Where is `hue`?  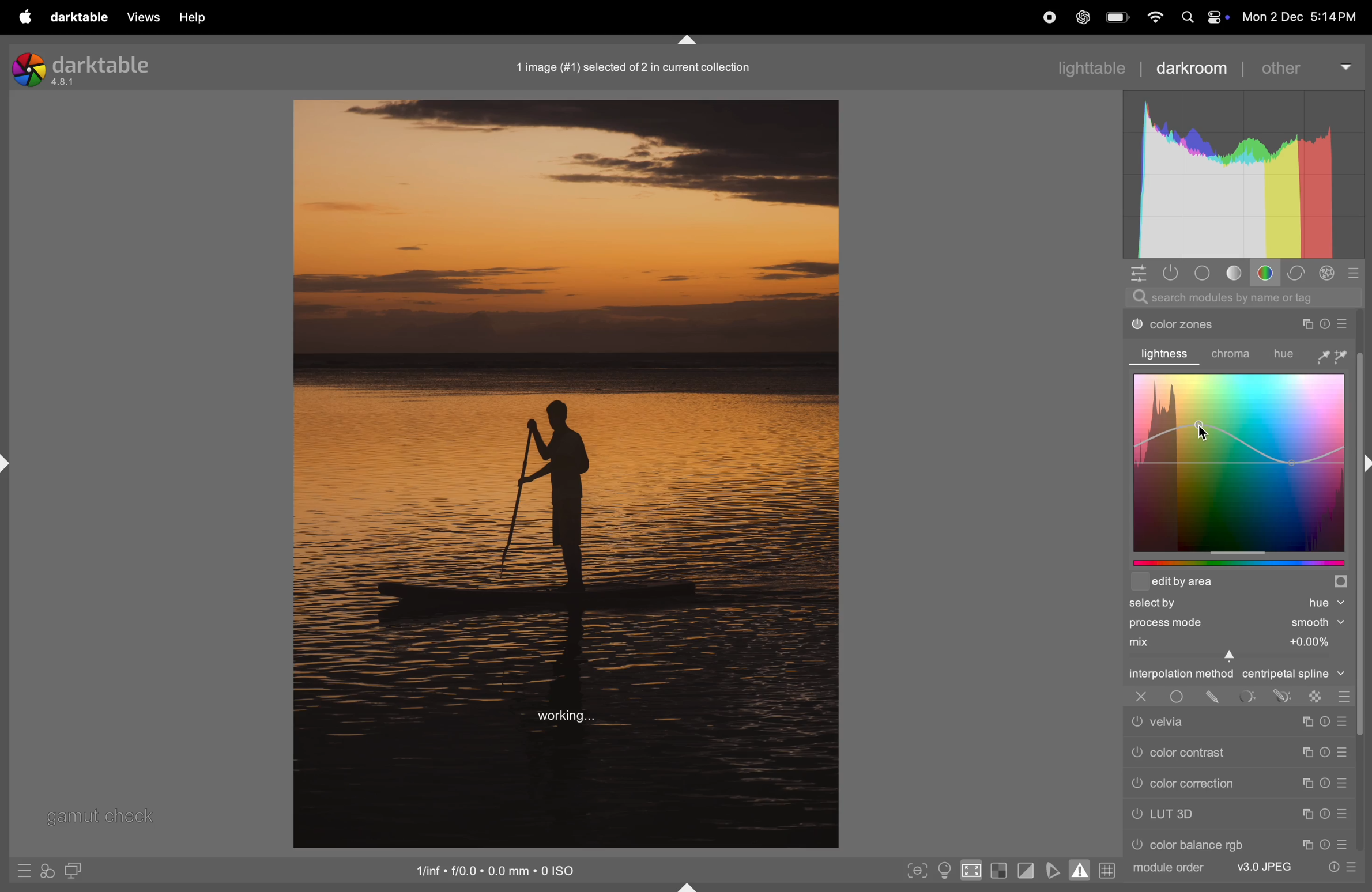
hue is located at coordinates (1310, 354).